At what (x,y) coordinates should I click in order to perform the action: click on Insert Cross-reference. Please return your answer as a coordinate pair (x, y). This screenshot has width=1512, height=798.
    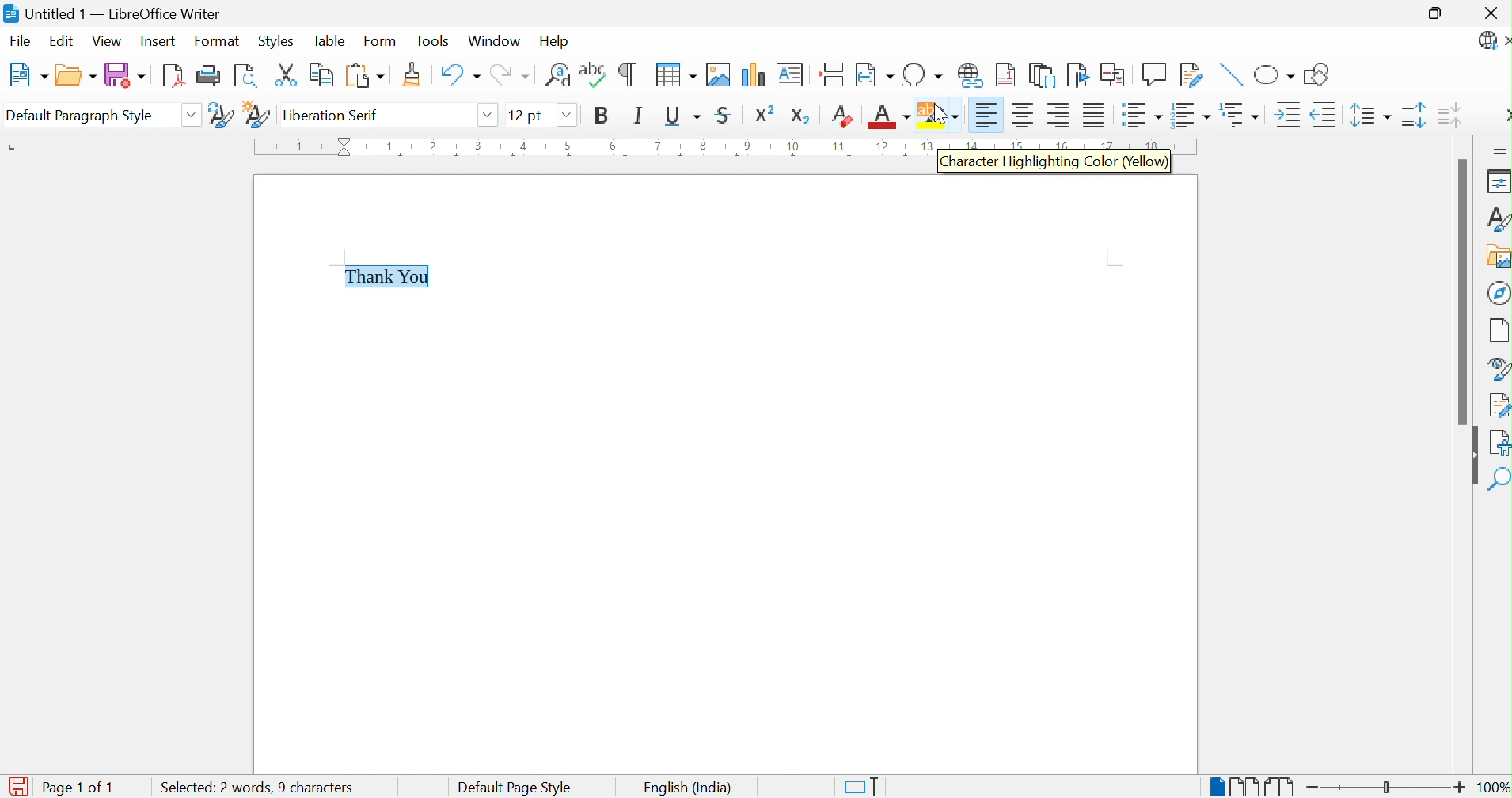
    Looking at the image, I should click on (1115, 74).